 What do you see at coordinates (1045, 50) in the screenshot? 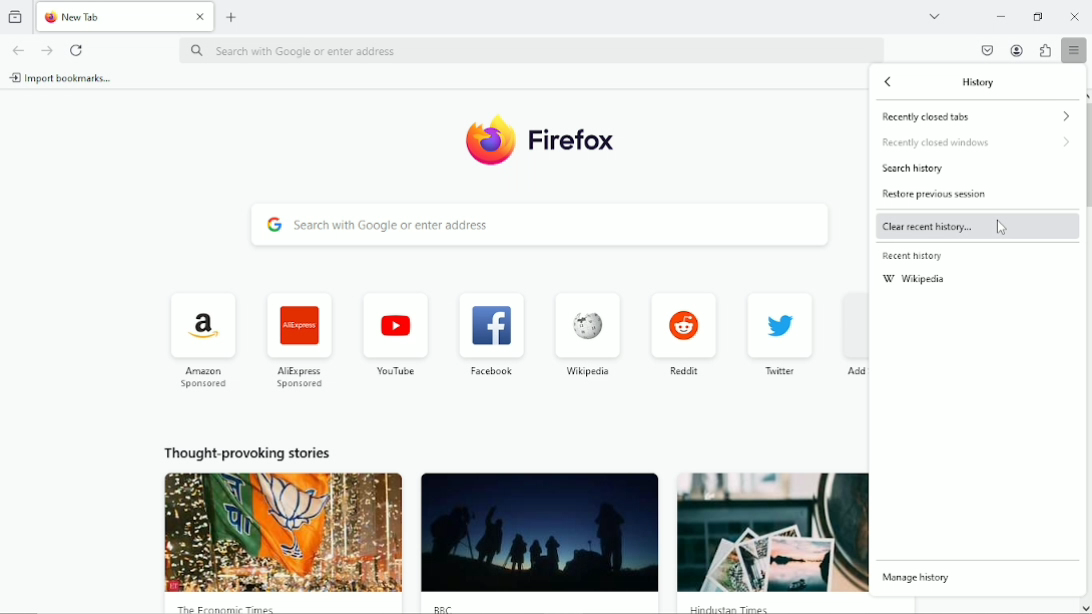
I see `extensions` at bounding box center [1045, 50].